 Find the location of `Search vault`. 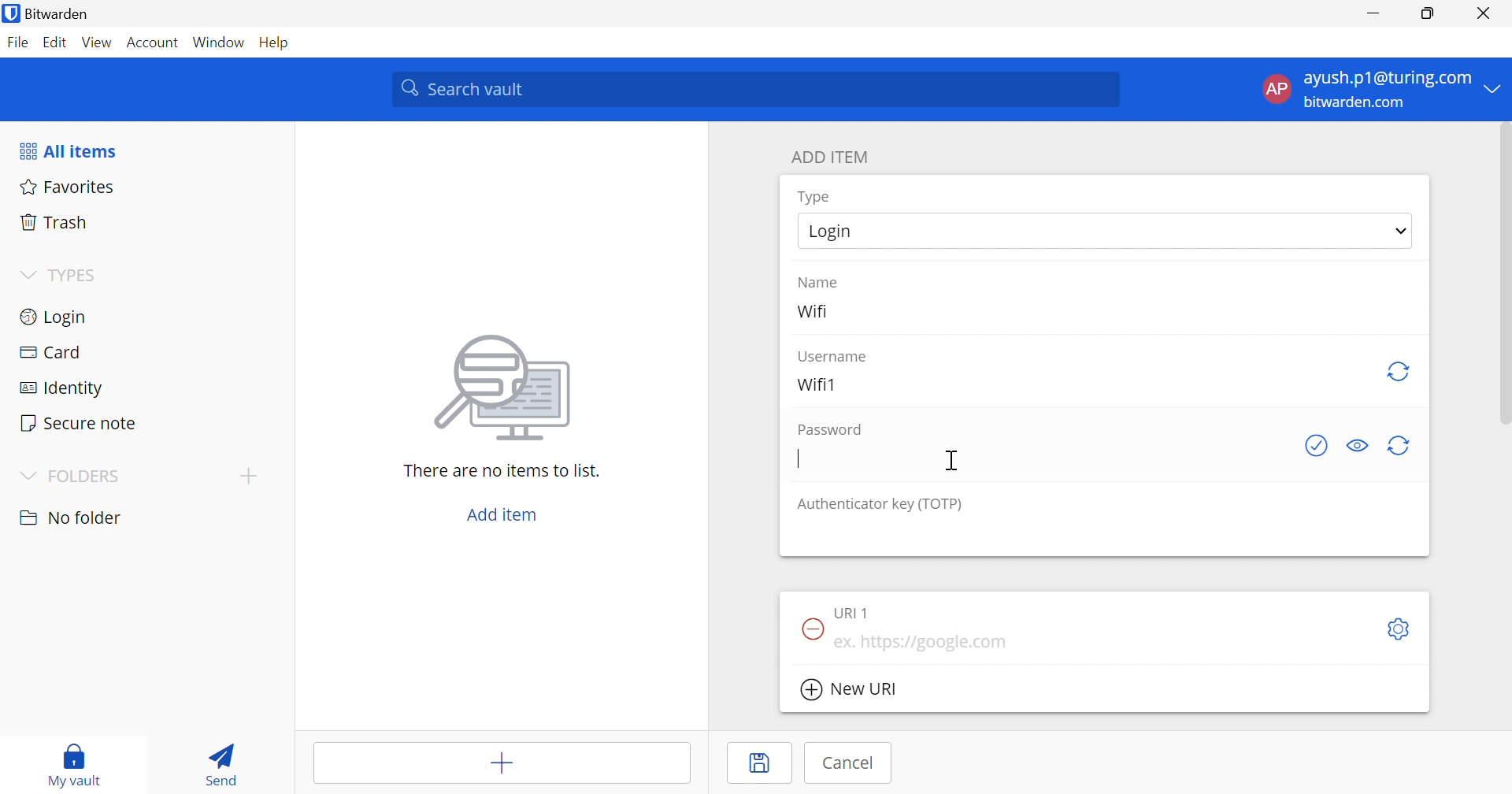

Search vault is located at coordinates (754, 89).